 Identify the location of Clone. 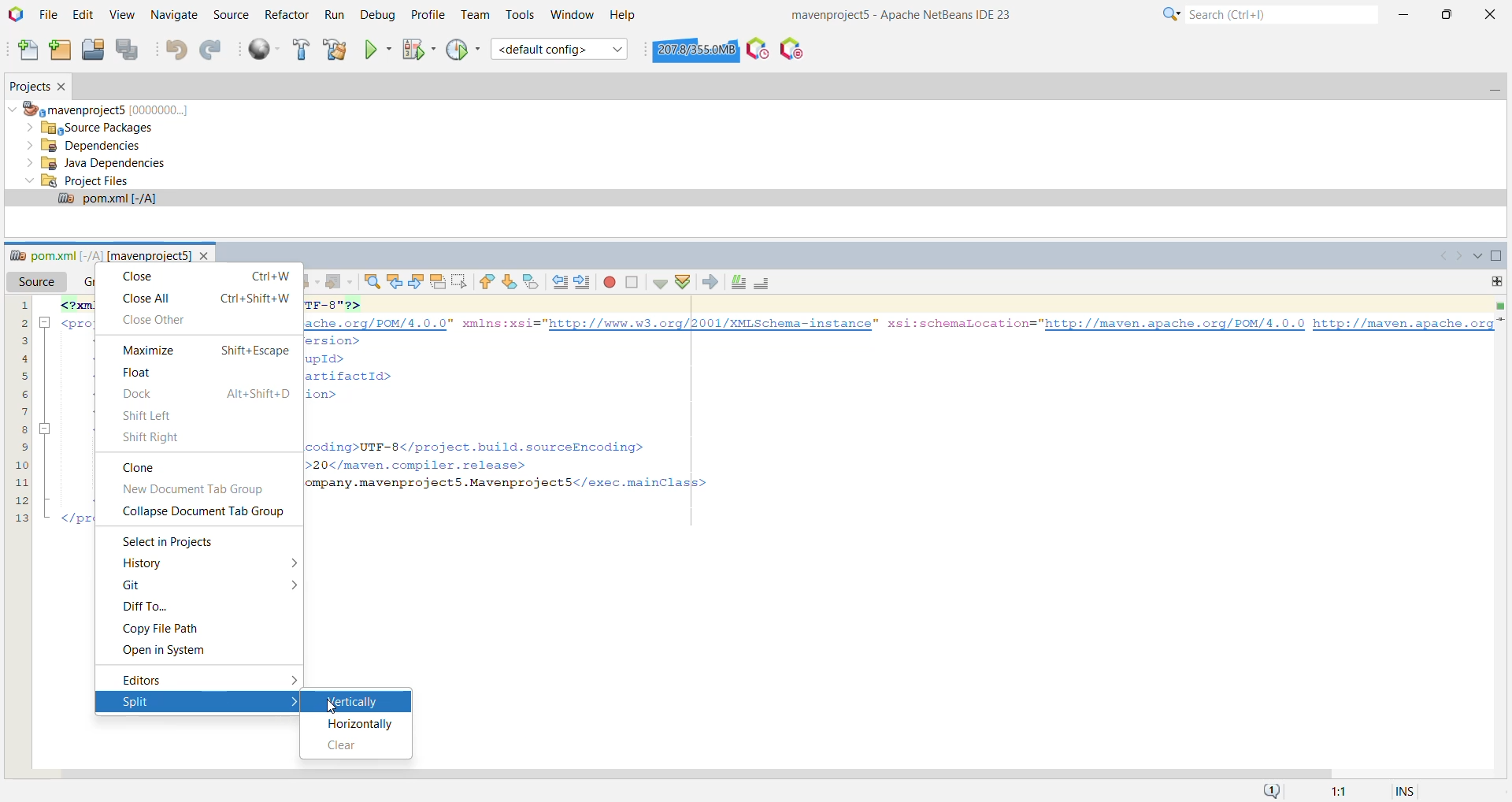
(137, 467).